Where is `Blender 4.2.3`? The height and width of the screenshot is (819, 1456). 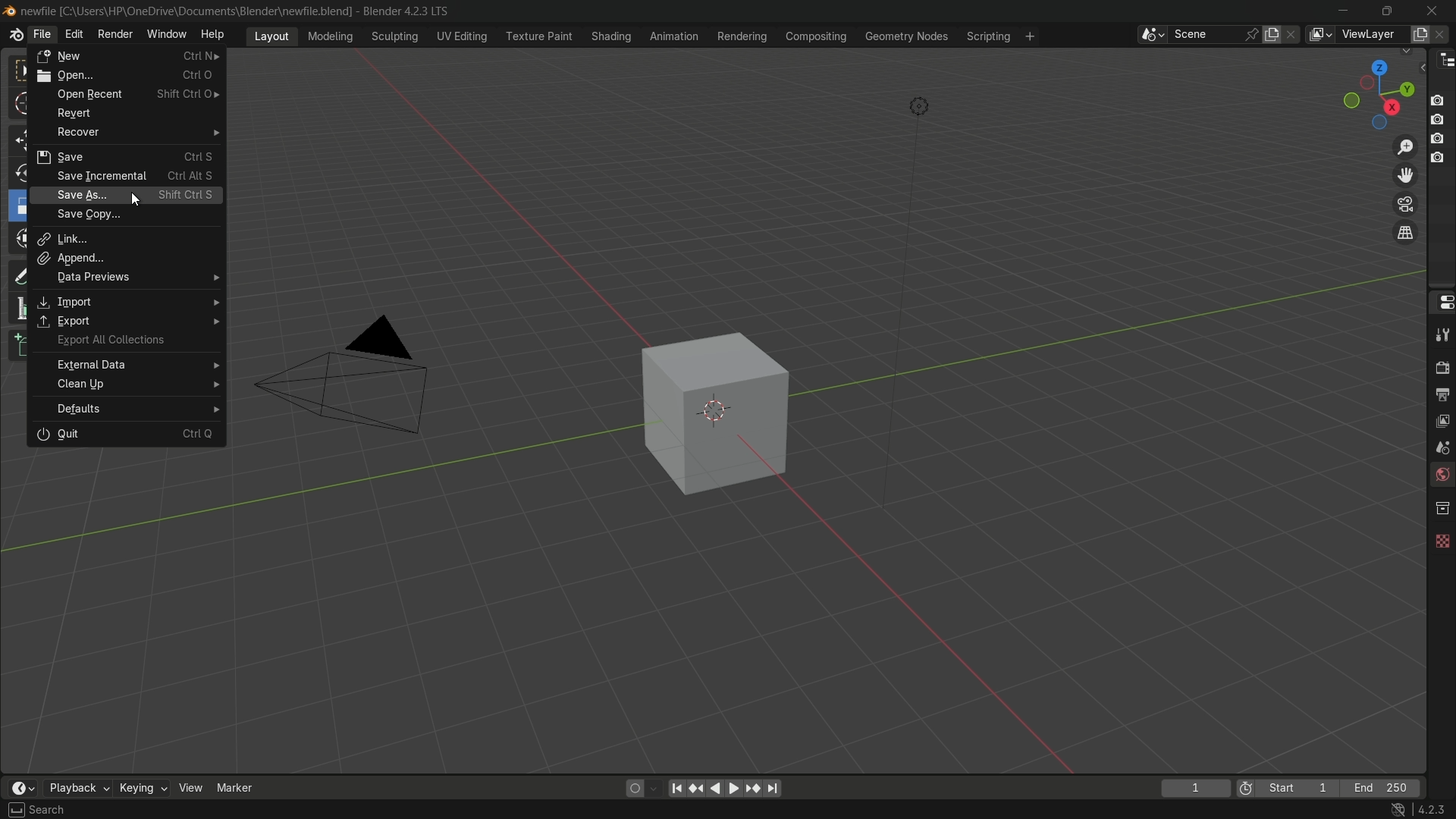
Blender 4.2.3 is located at coordinates (402, 11).